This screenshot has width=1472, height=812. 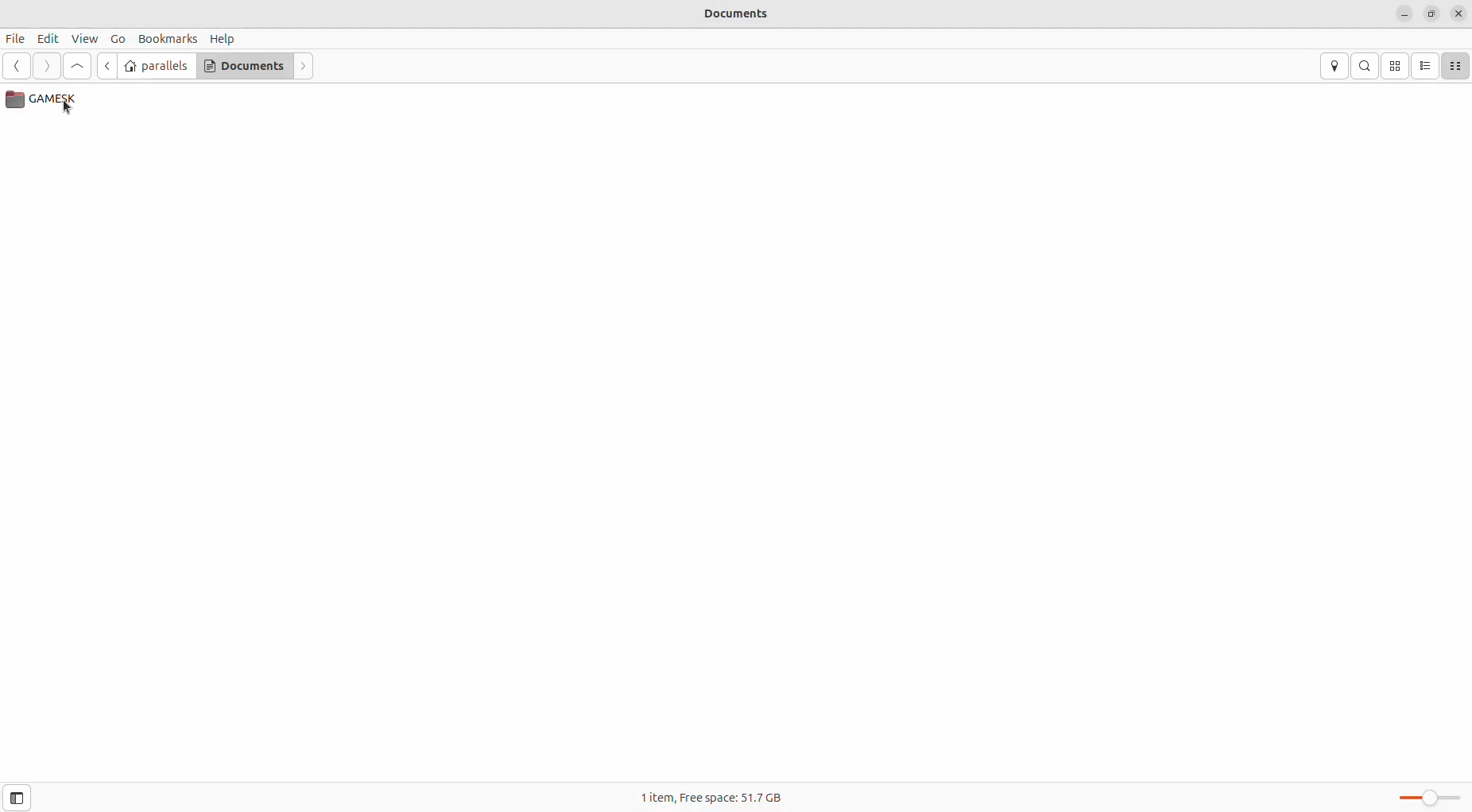 I want to click on toggle sidebar, so click(x=23, y=793).